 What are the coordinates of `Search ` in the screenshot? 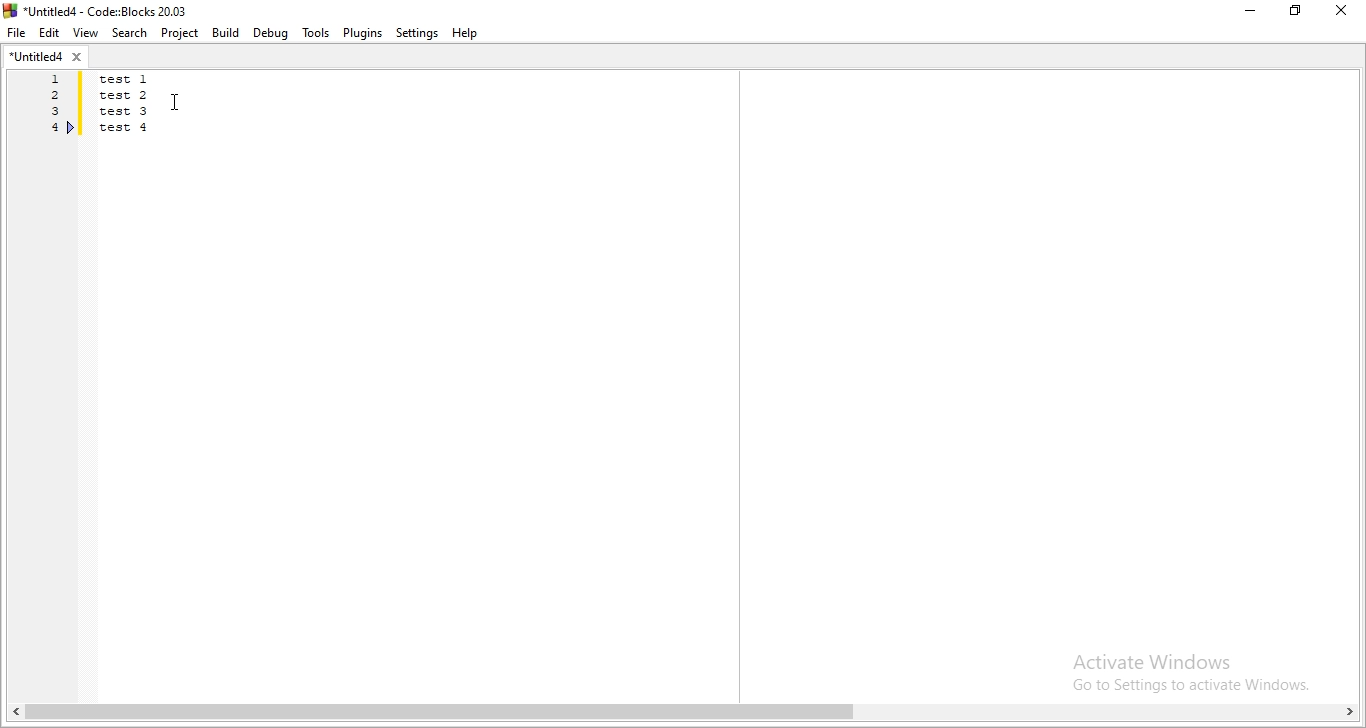 It's located at (126, 33).